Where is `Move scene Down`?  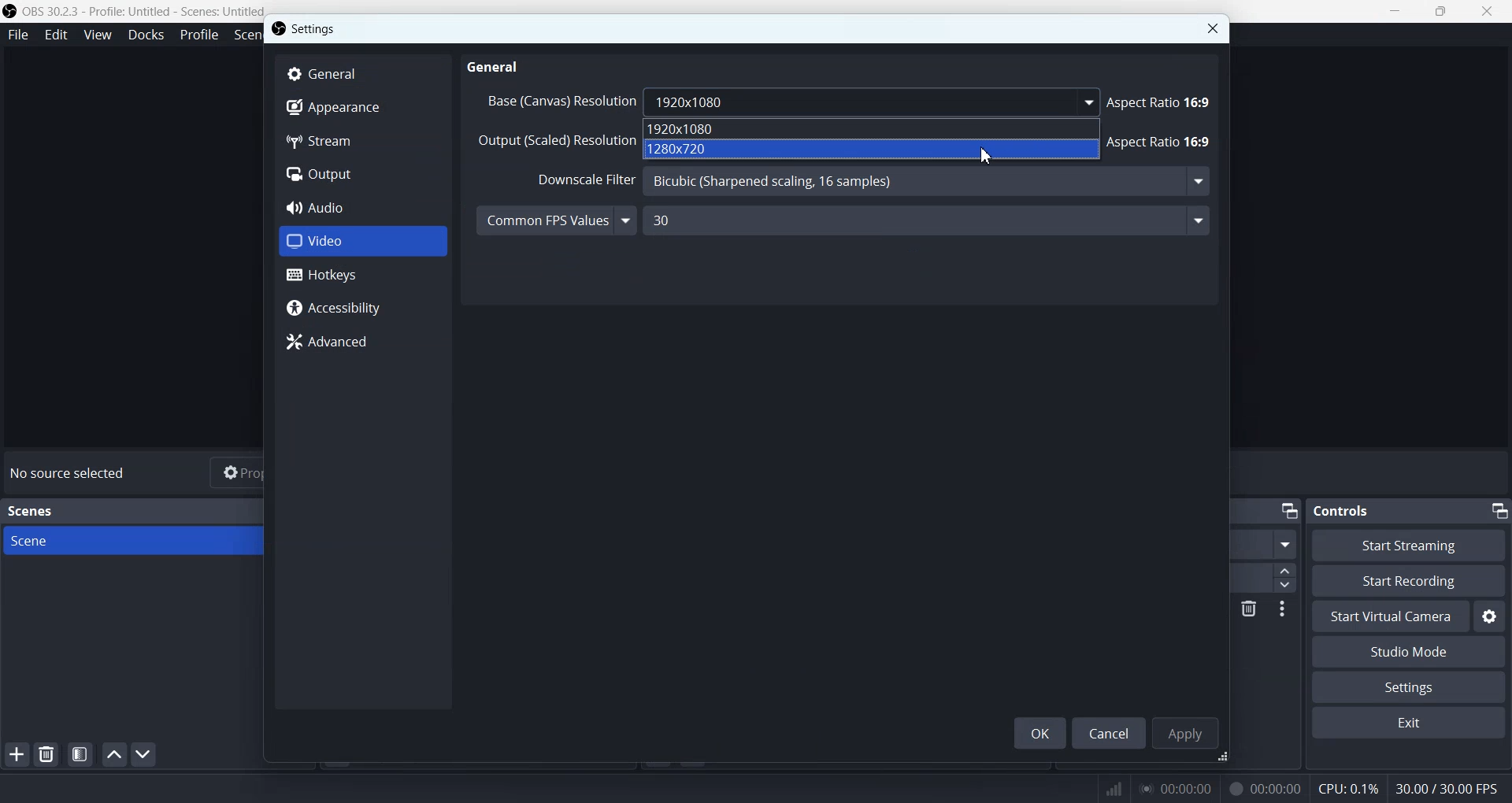 Move scene Down is located at coordinates (144, 754).